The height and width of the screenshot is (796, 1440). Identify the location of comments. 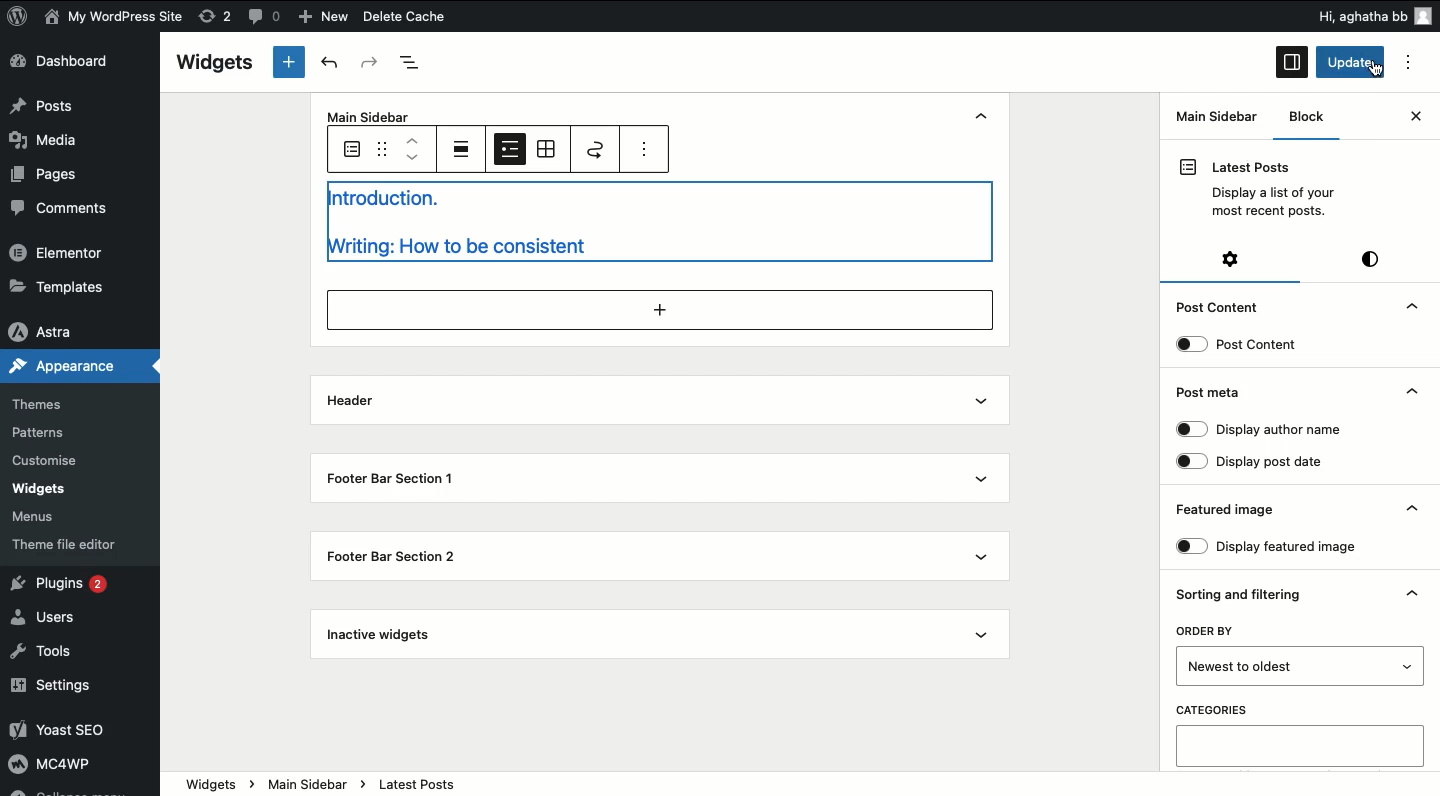
(266, 18).